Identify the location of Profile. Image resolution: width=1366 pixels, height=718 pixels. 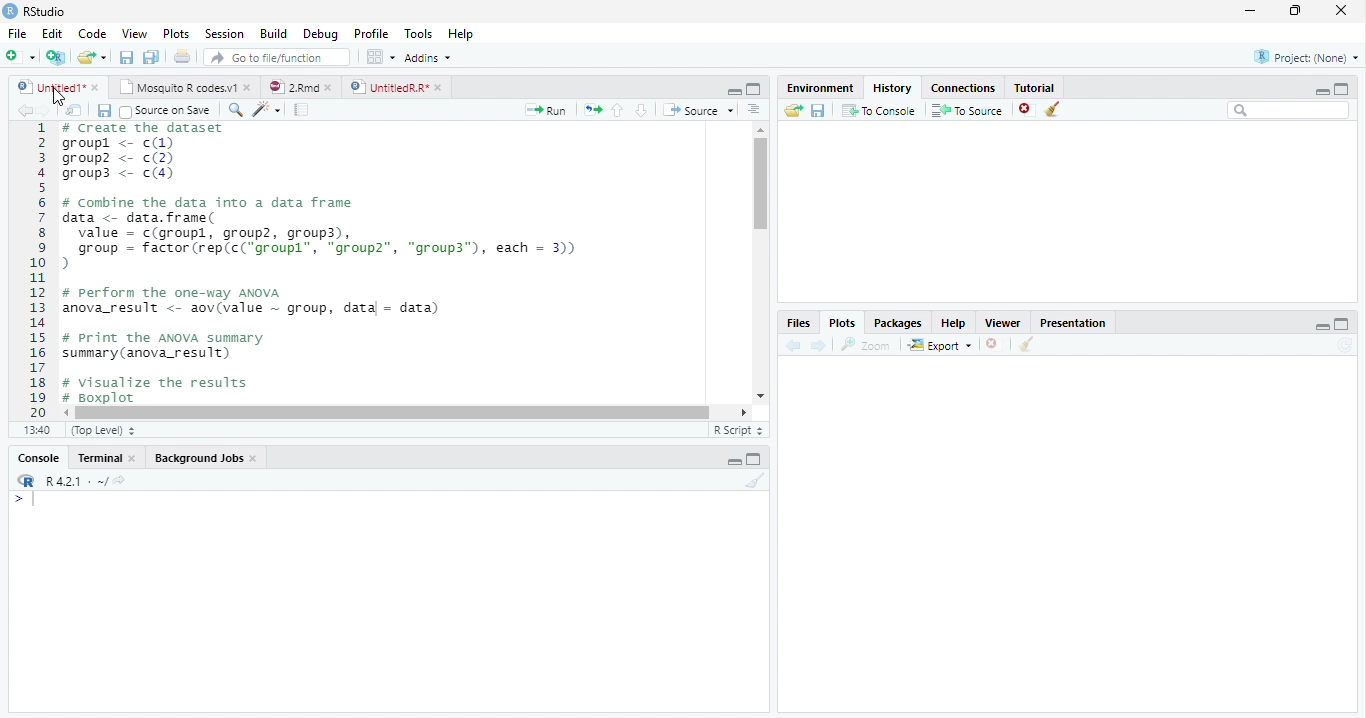
(370, 34).